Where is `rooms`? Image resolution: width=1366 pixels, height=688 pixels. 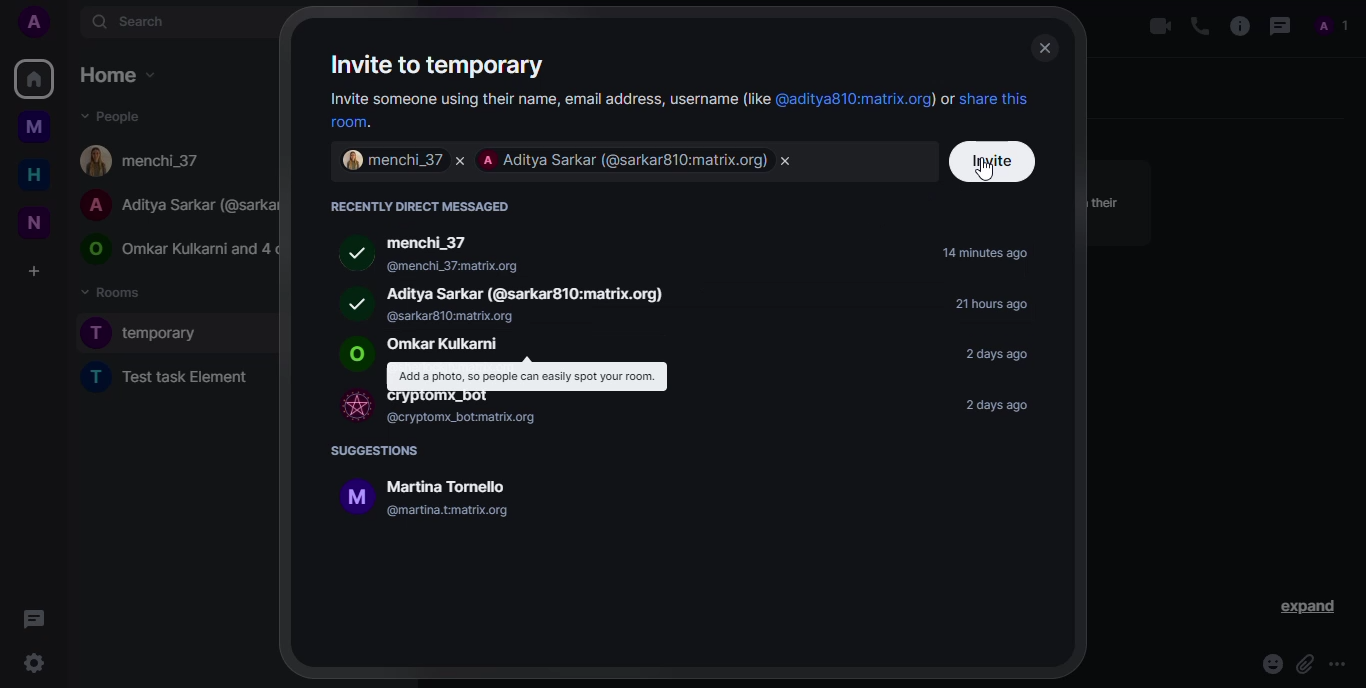 rooms is located at coordinates (115, 291).